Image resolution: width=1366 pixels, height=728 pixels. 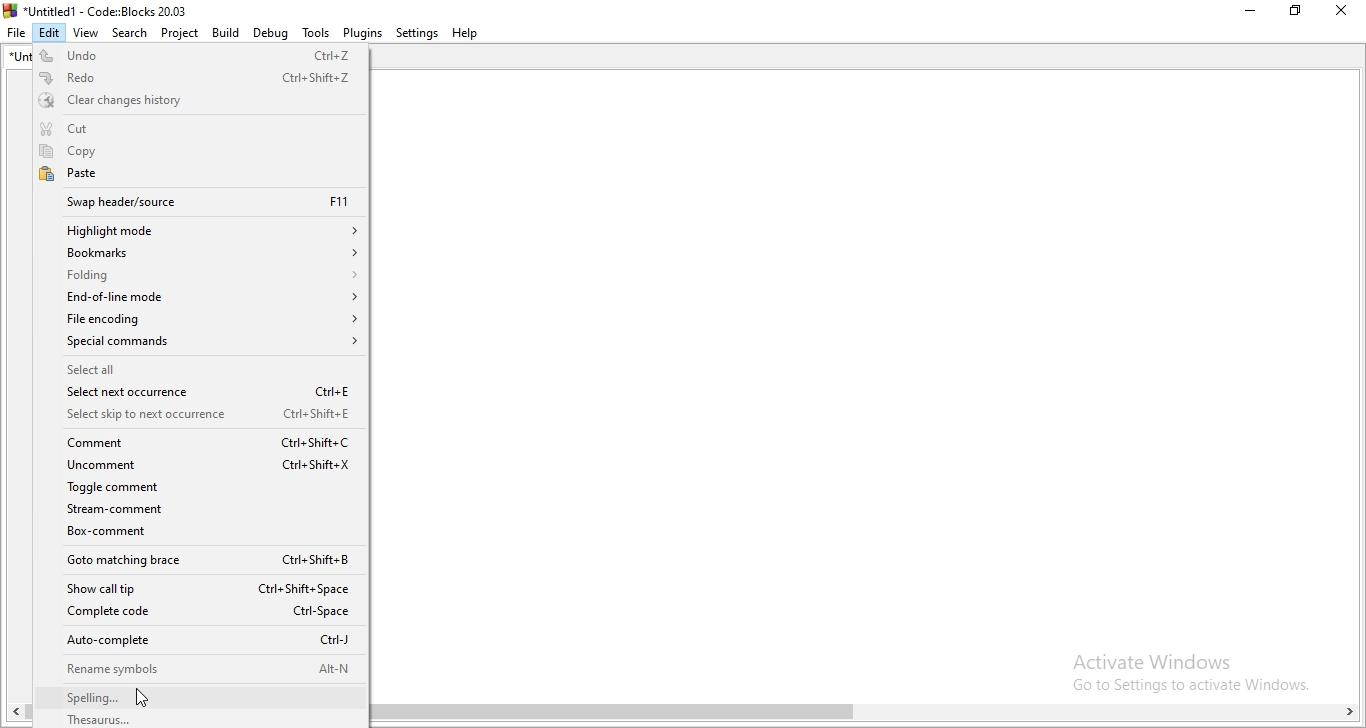 I want to click on Rename symbols, so click(x=203, y=669).